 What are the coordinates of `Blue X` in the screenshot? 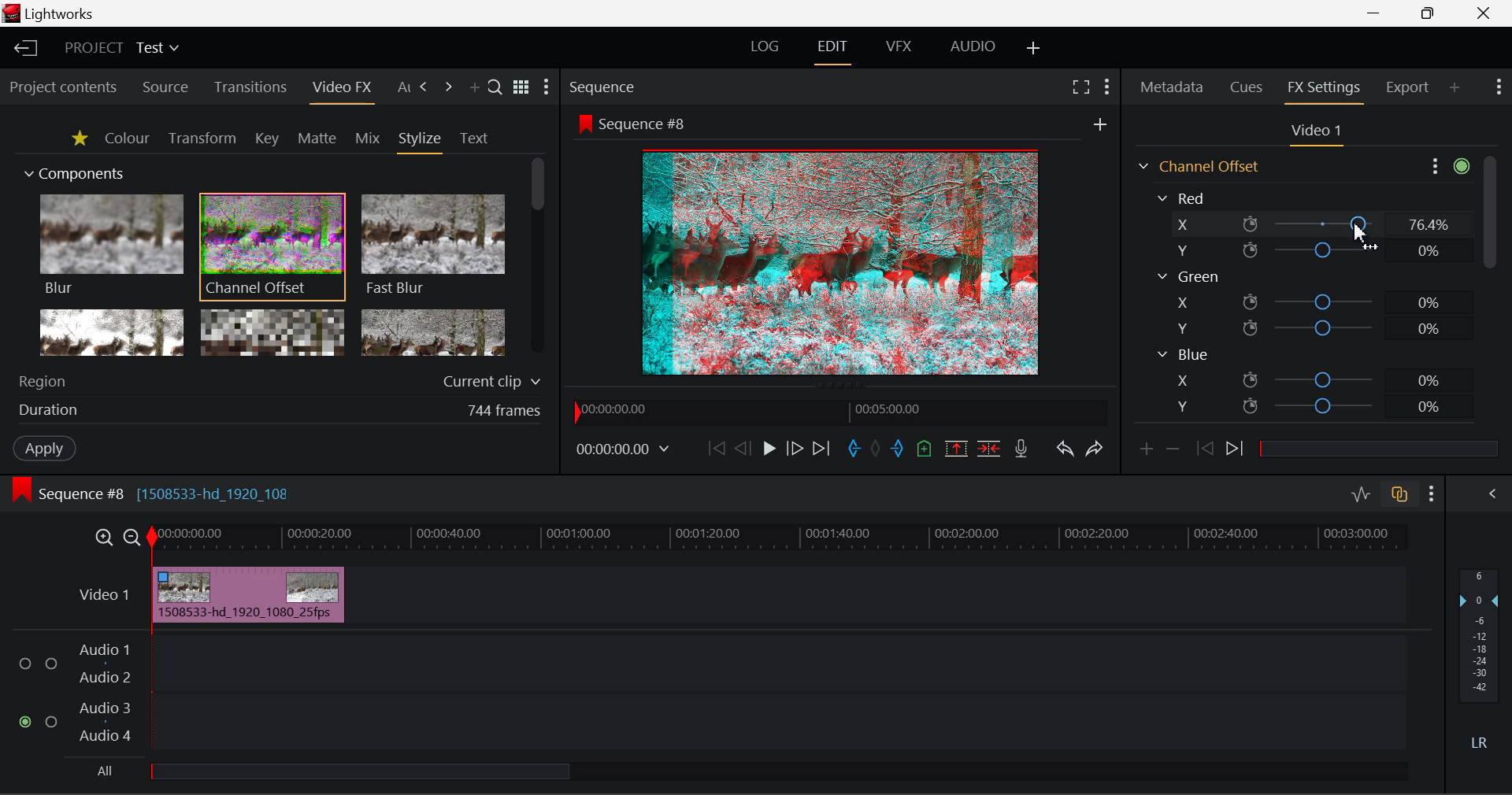 It's located at (1314, 379).